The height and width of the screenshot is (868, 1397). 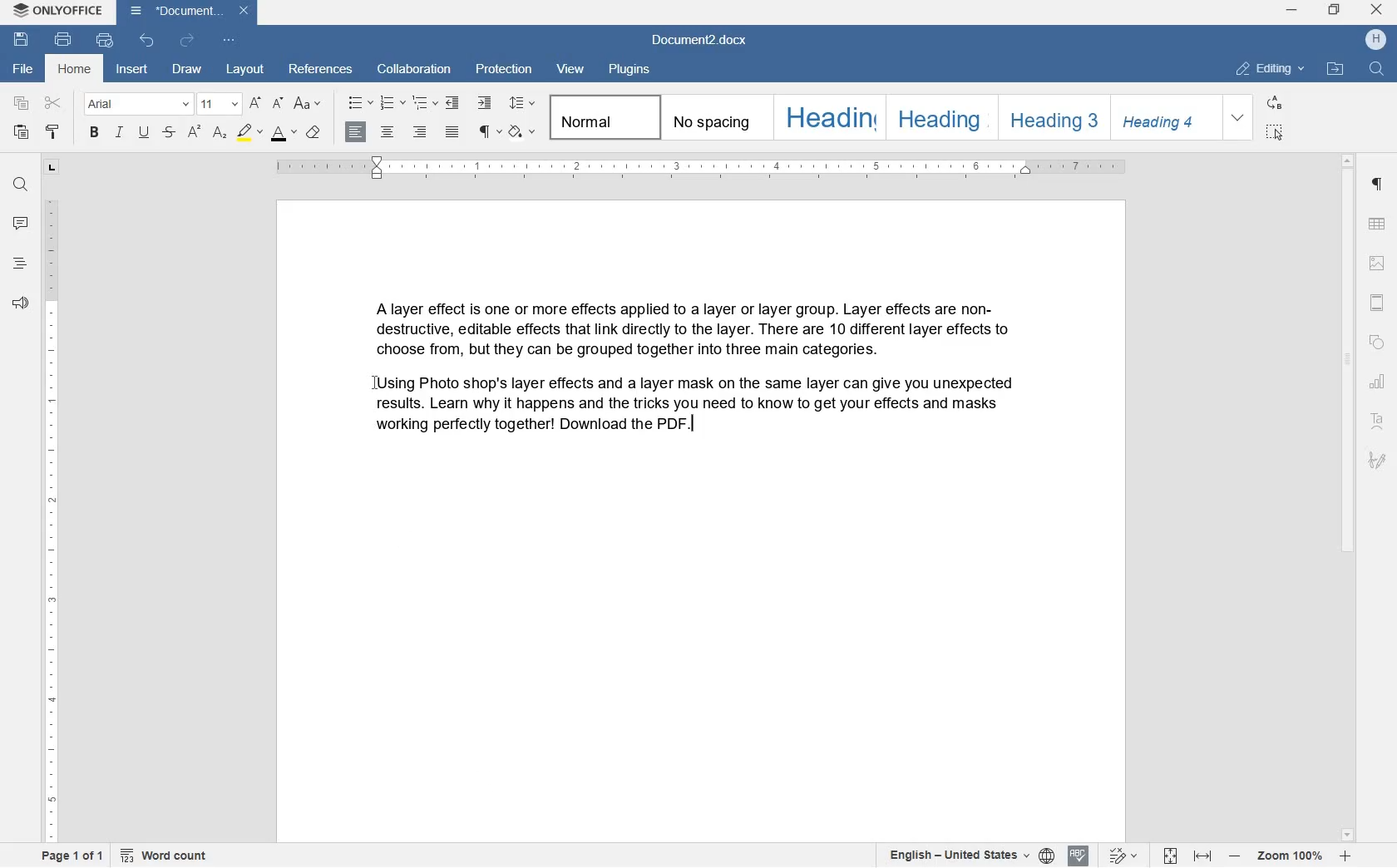 What do you see at coordinates (245, 67) in the screenshot?
I see `LAYOUT` at bounding box center [245, 67].